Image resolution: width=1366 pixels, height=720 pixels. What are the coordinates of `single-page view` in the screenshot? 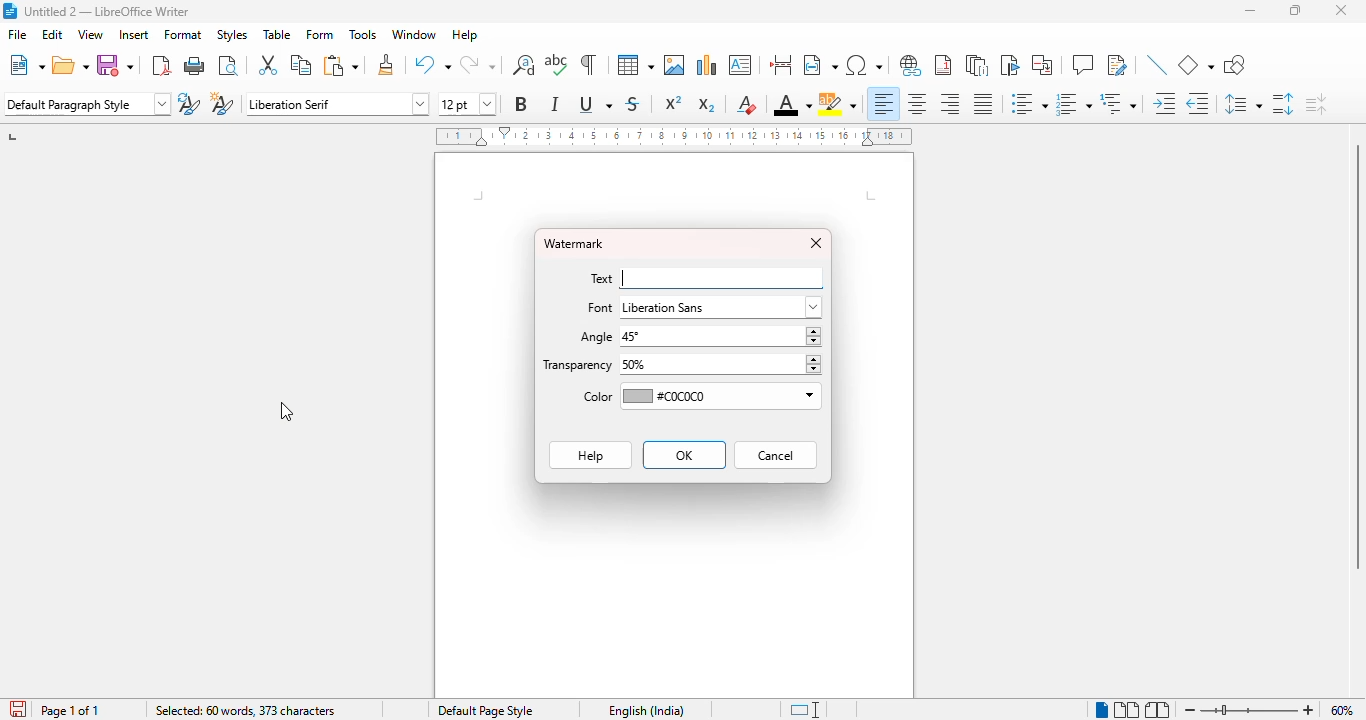 It's located at (1102, 709).